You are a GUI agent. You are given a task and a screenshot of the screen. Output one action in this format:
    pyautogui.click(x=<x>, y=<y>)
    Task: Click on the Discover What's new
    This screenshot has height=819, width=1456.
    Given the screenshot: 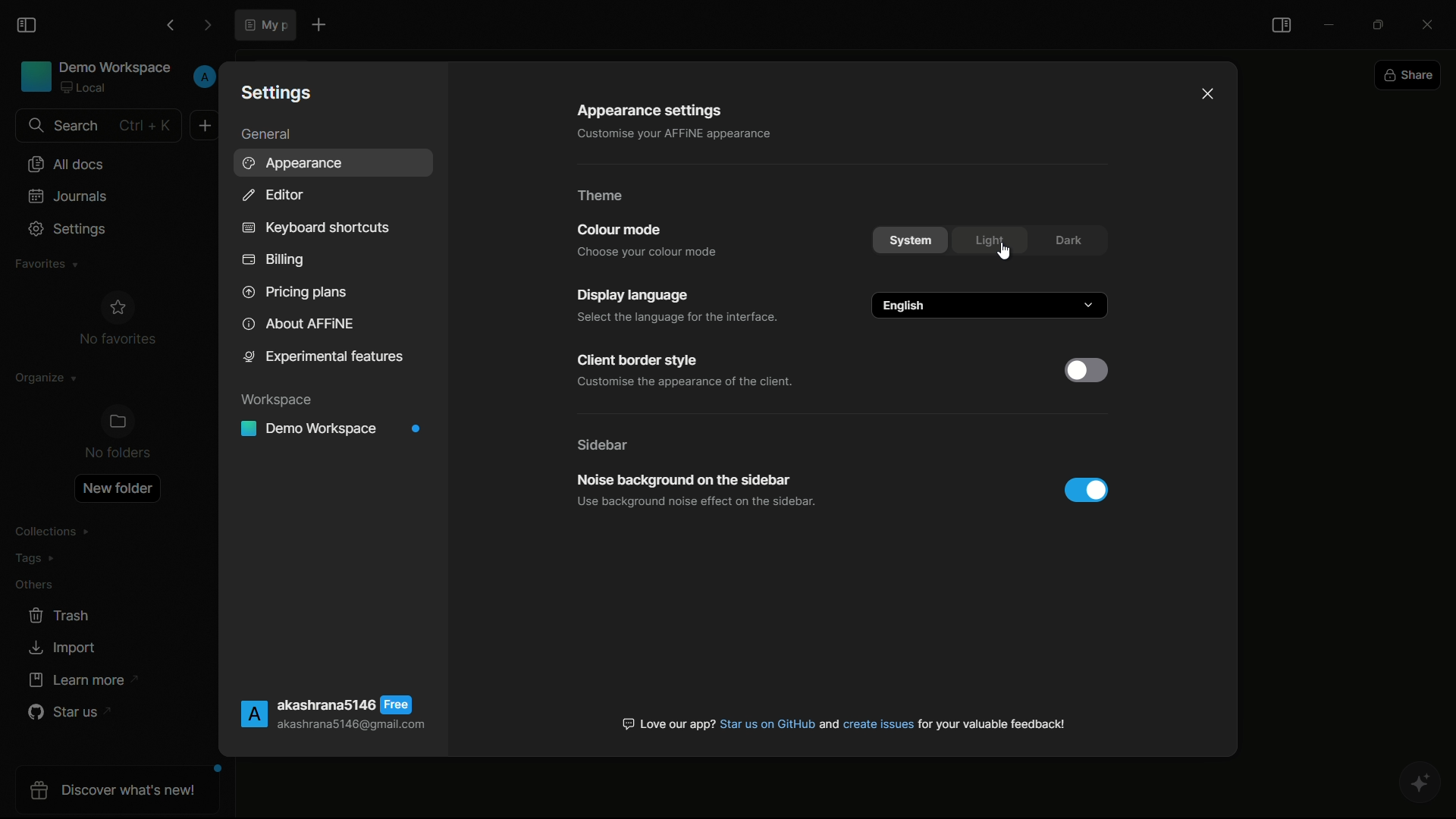 What is the action you would take?
    pyautogui.click(x=121, y=792)
    